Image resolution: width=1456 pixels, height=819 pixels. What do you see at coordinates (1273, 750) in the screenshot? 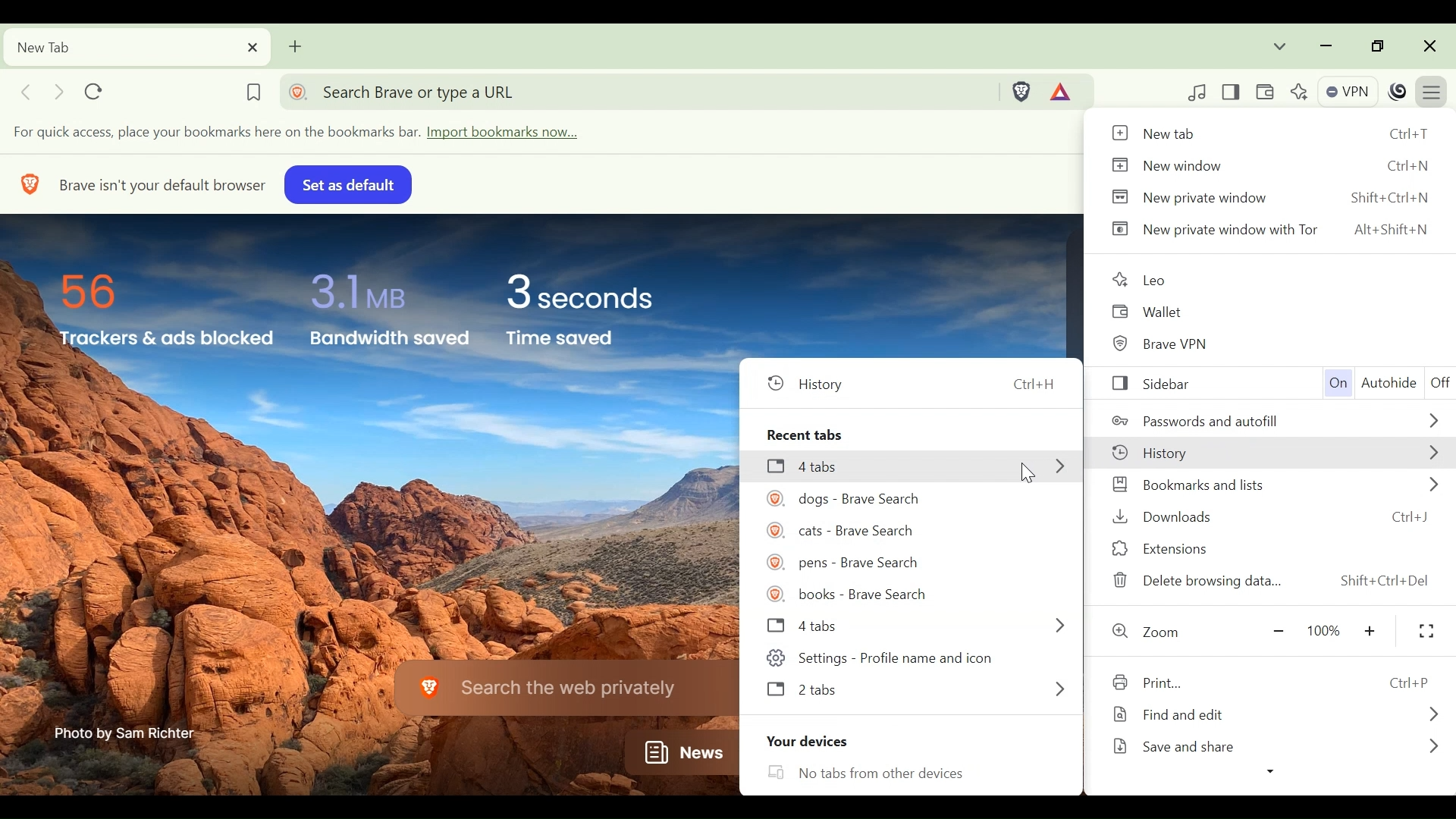
I see `Save and share` at bounding box center [1273, 750].